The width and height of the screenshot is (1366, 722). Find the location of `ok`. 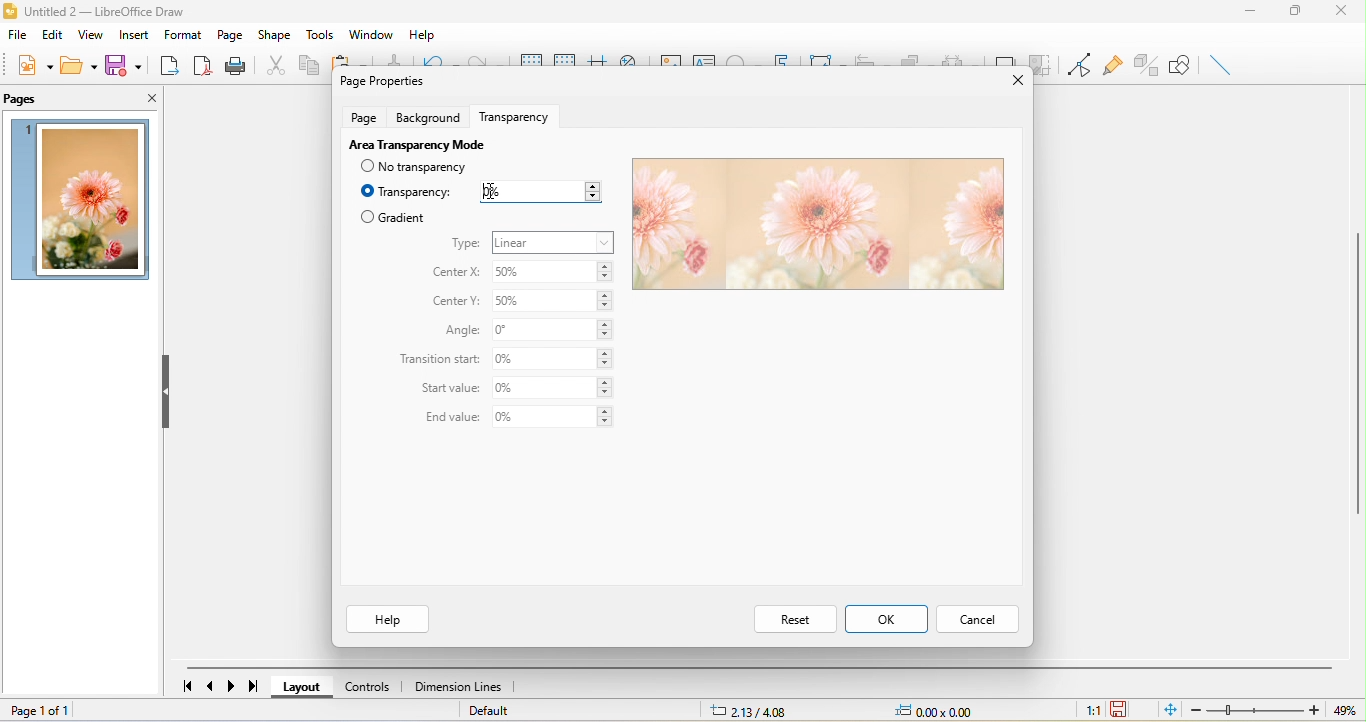

ok is located at coordinates (886, 618).